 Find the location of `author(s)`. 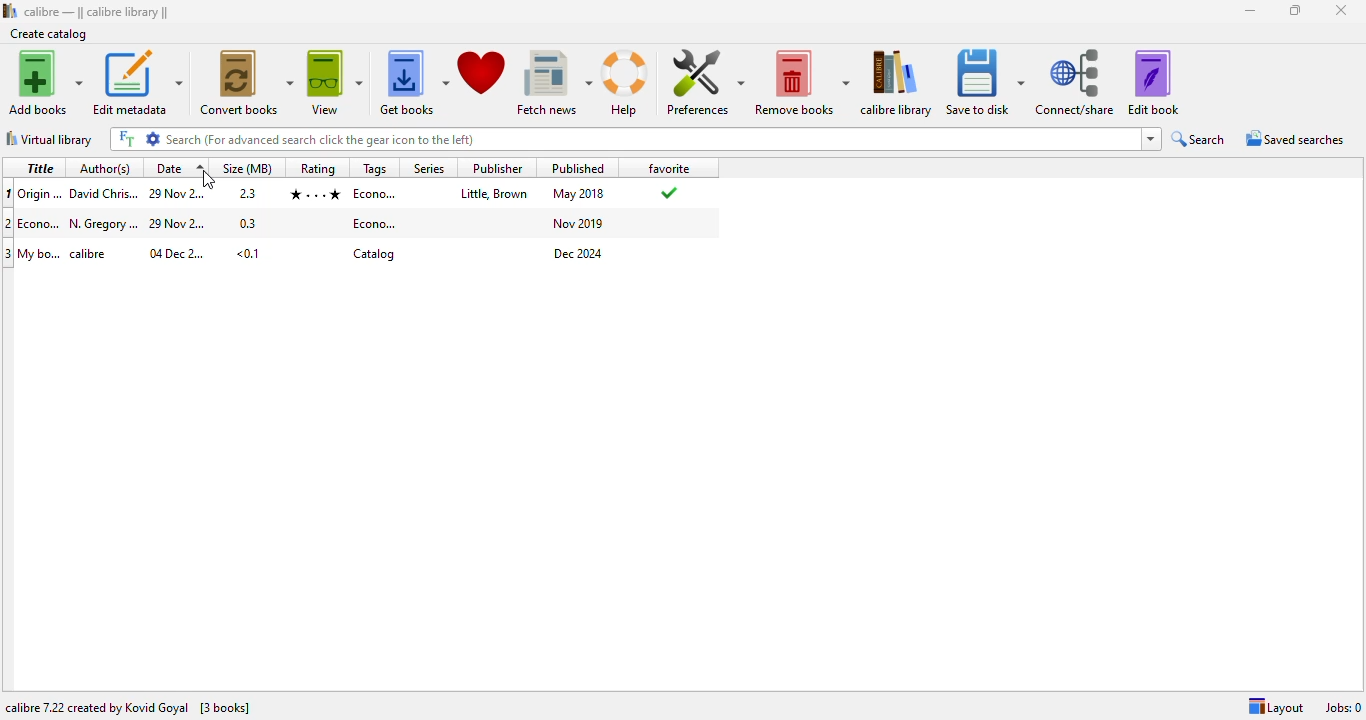

author(s) is located at coordinates (108, 168).